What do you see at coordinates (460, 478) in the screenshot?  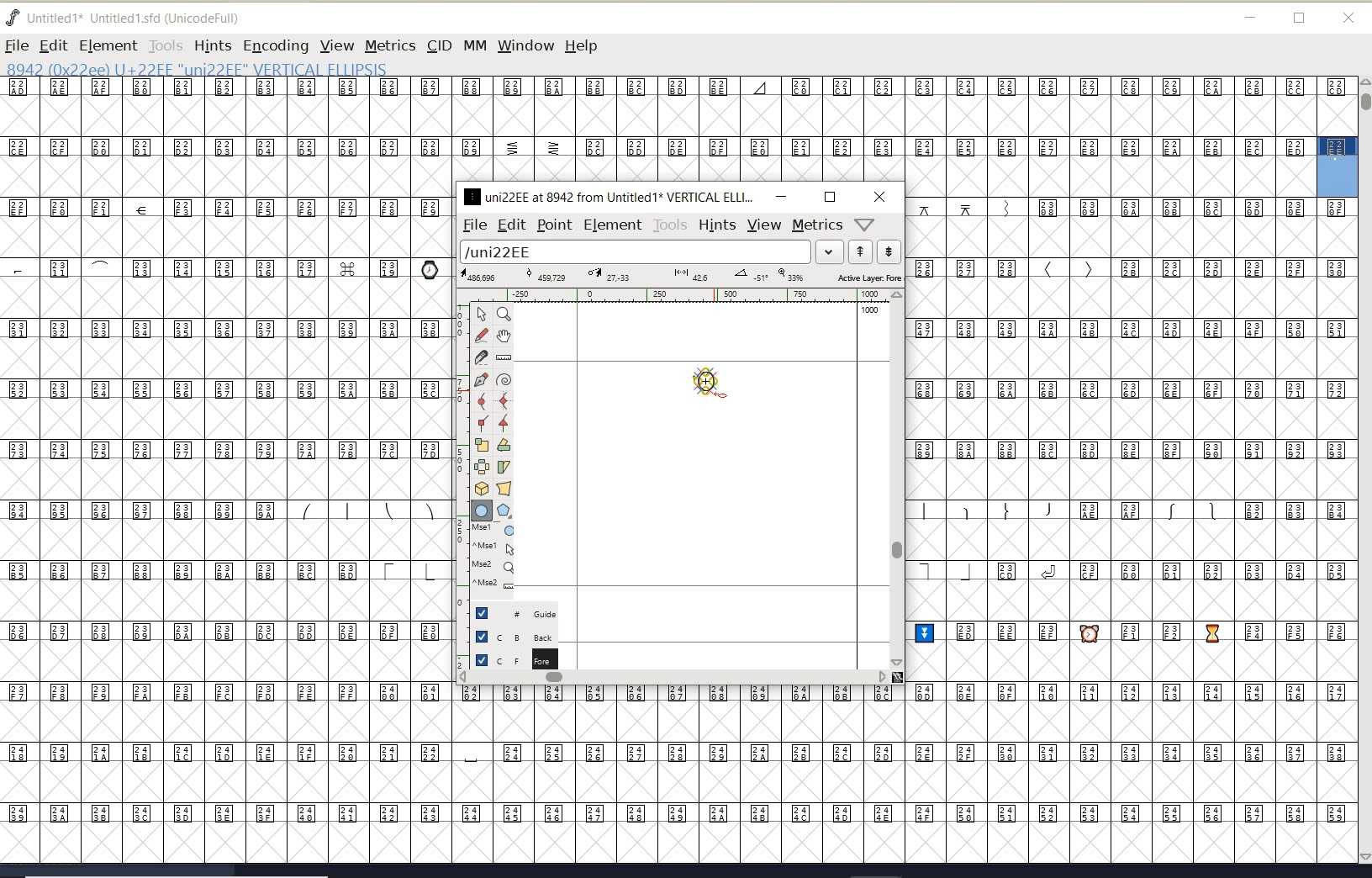 I see `SCALE` at bounding box center [460, 478].